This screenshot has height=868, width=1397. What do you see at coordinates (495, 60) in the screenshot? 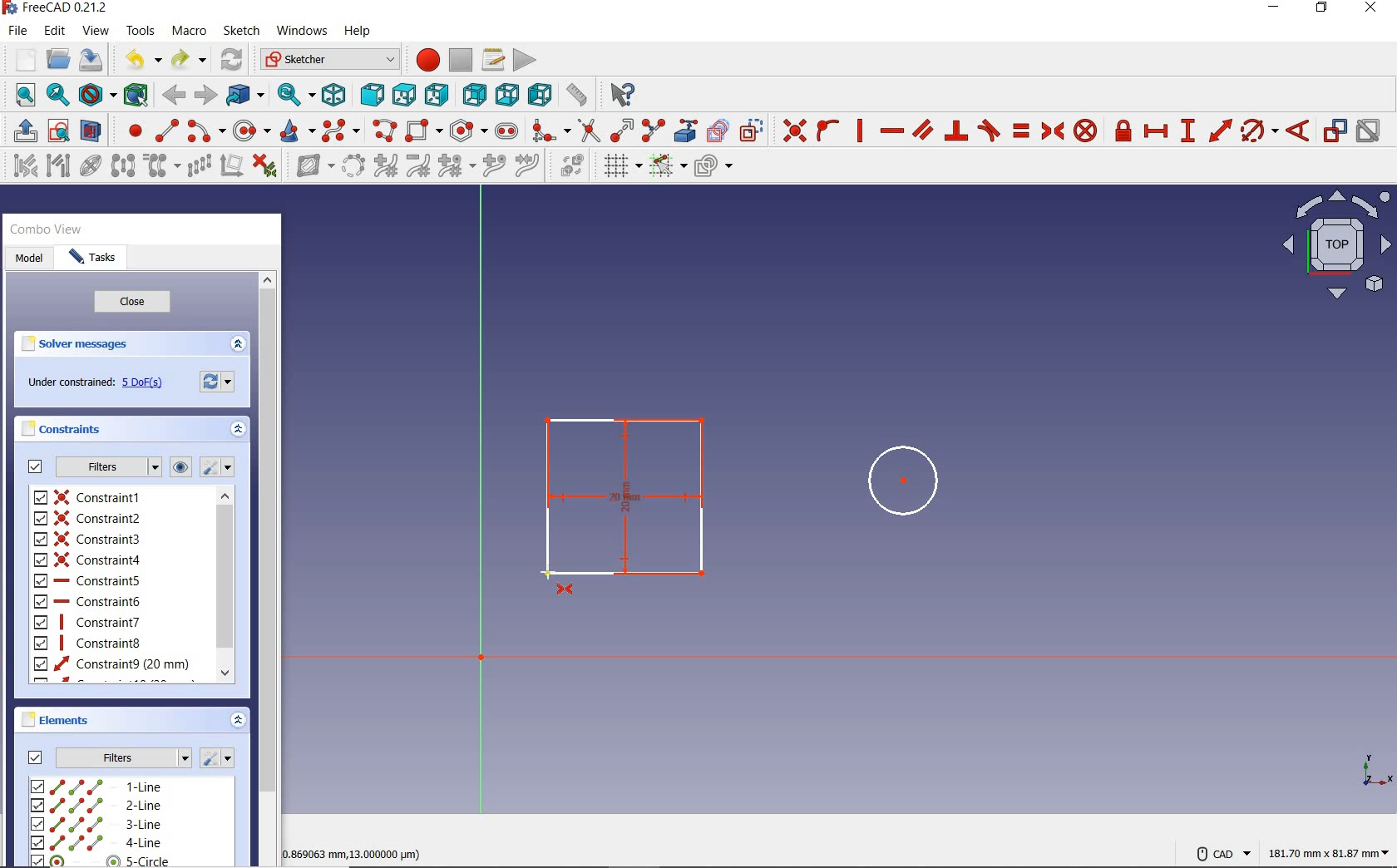
I see `macros` at bounding box center [495, 60].